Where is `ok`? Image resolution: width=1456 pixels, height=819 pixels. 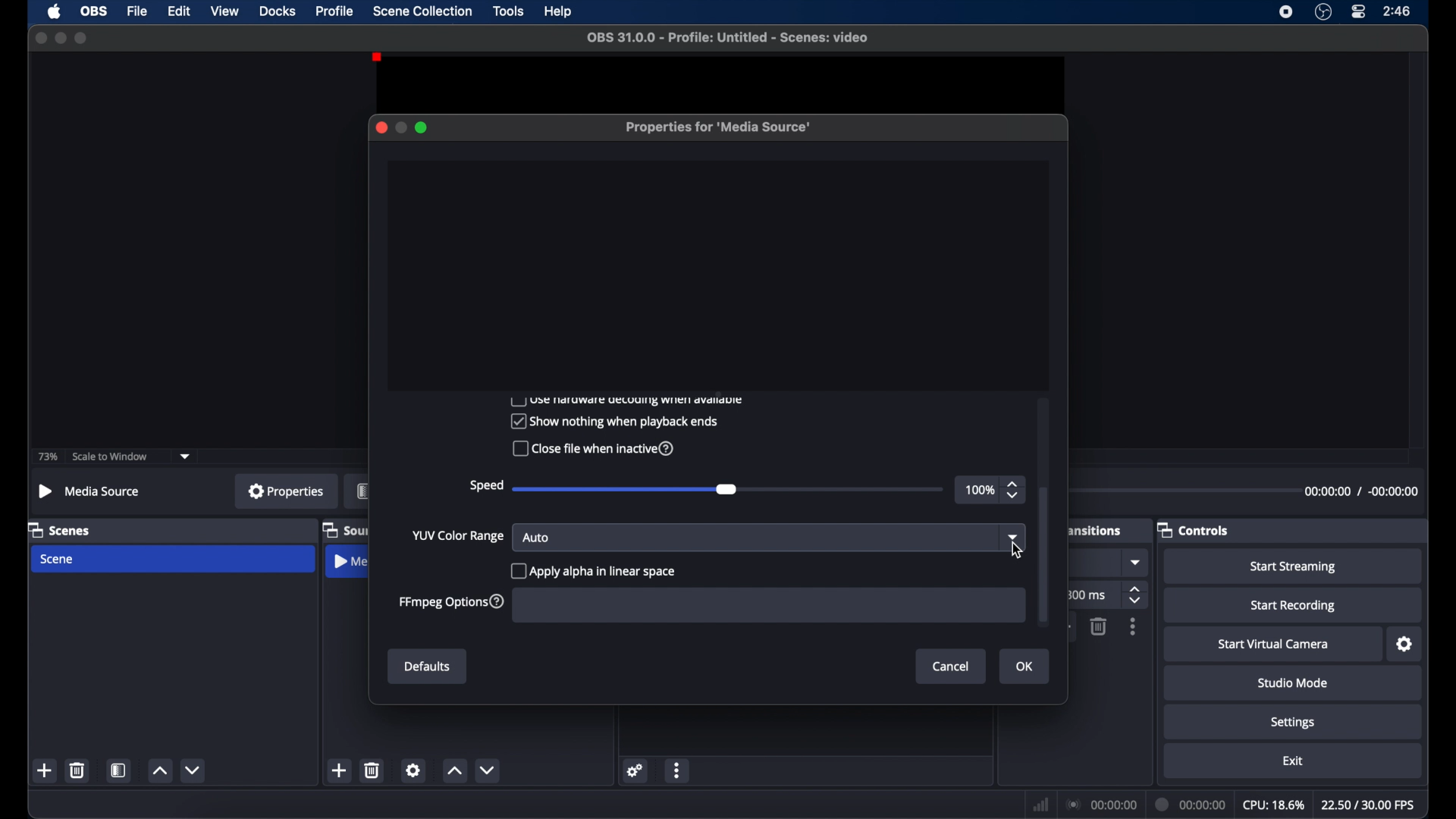
ok is located at coordinates (1027, 667).